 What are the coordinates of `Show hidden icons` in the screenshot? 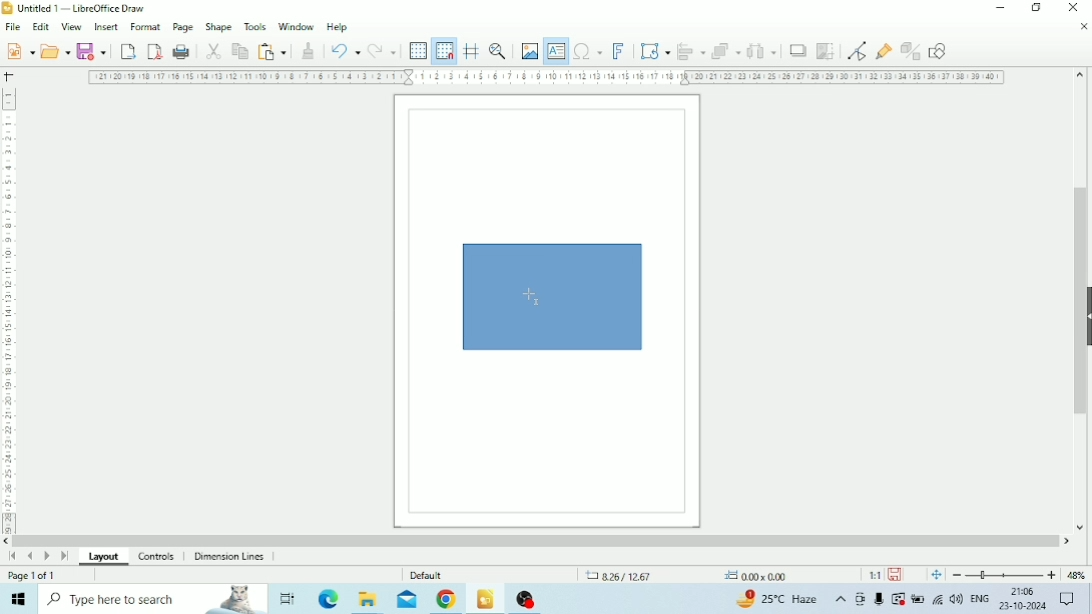 It's located at (841, 599).